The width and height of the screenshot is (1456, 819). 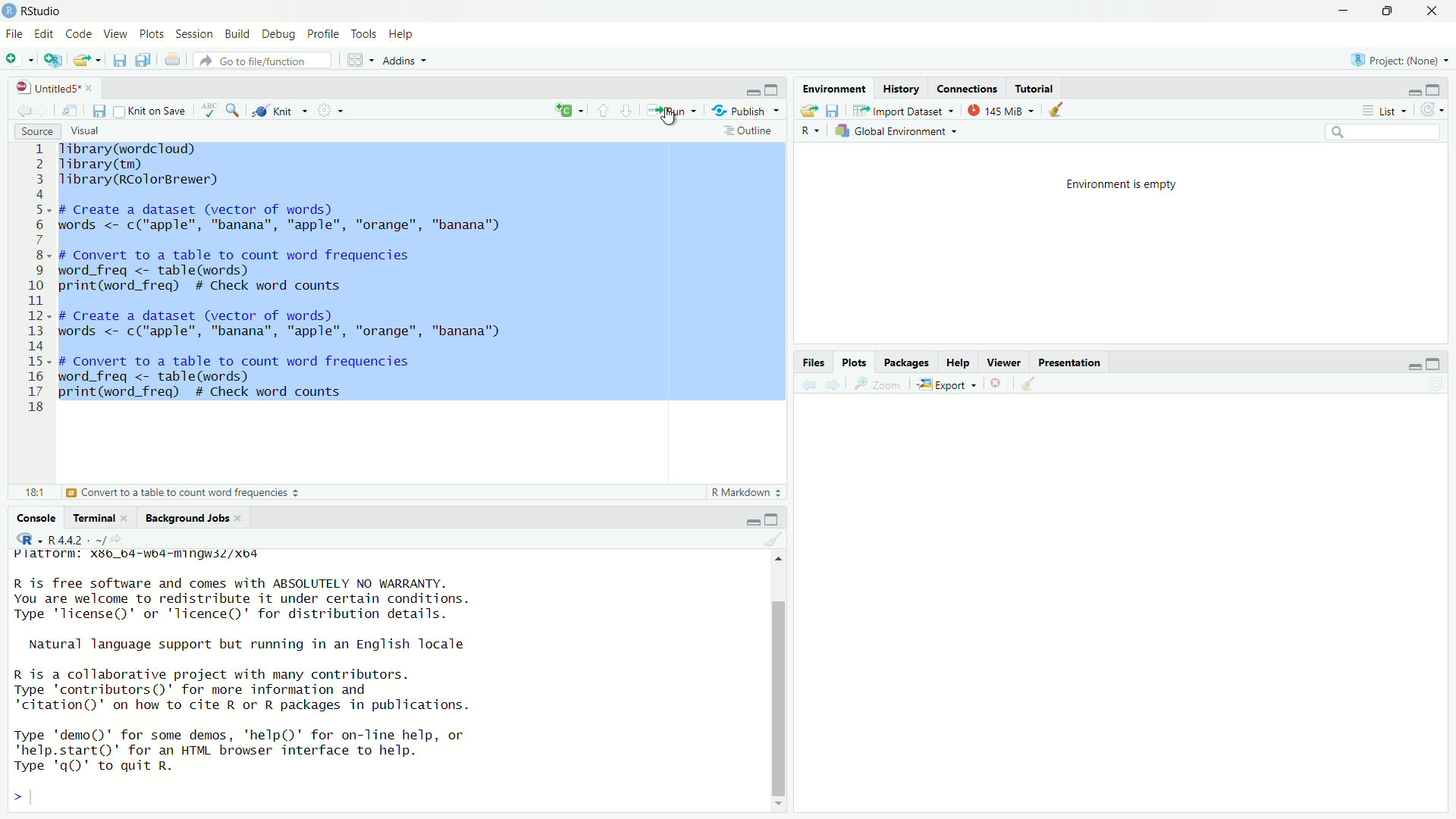 What do you see at coordinates (325, 35) in the screenshot?
I see `Profile` at bounding box center [325, 35].